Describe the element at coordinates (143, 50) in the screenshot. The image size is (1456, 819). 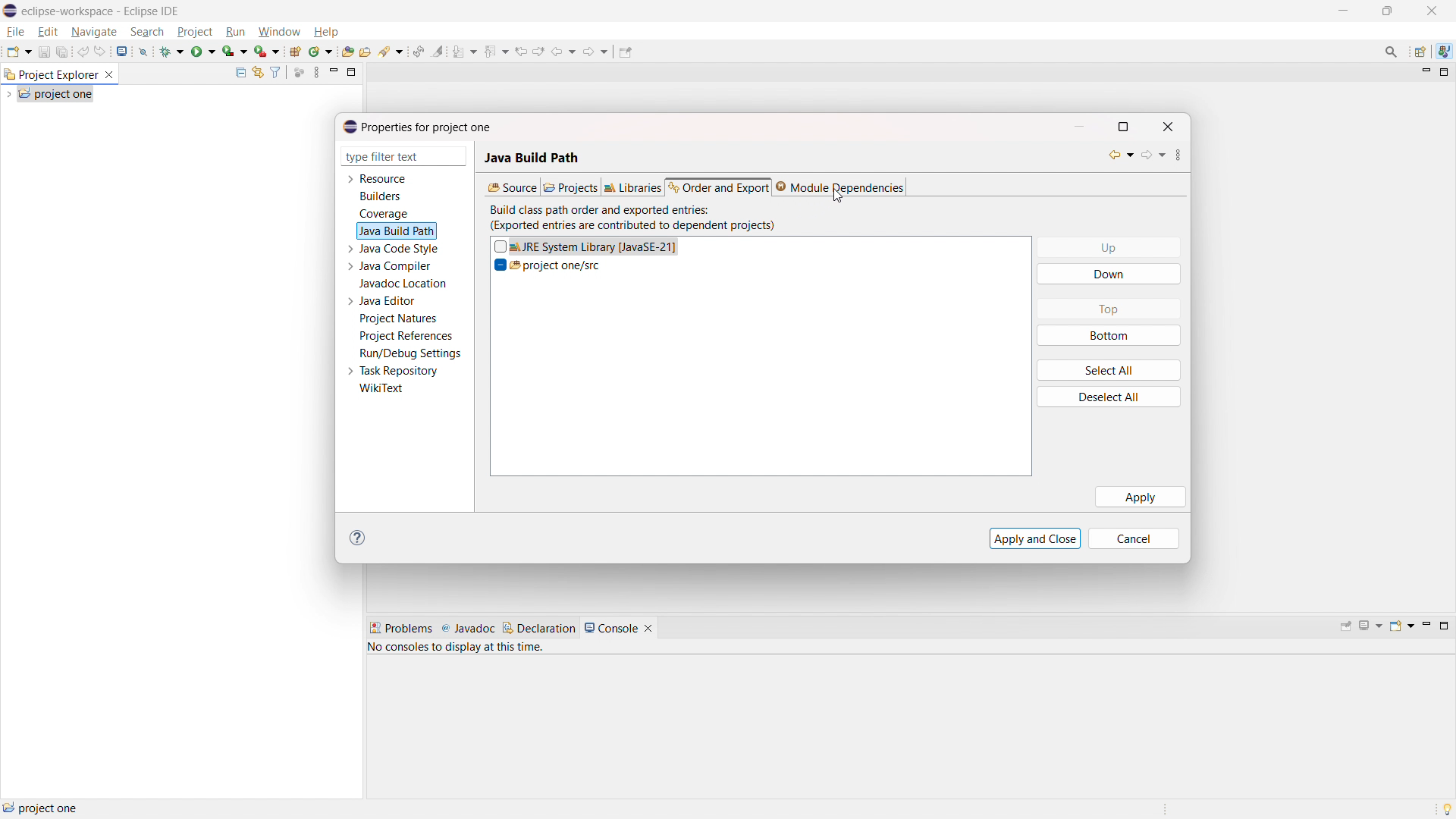
I see `skip all breakpoint` at that location.